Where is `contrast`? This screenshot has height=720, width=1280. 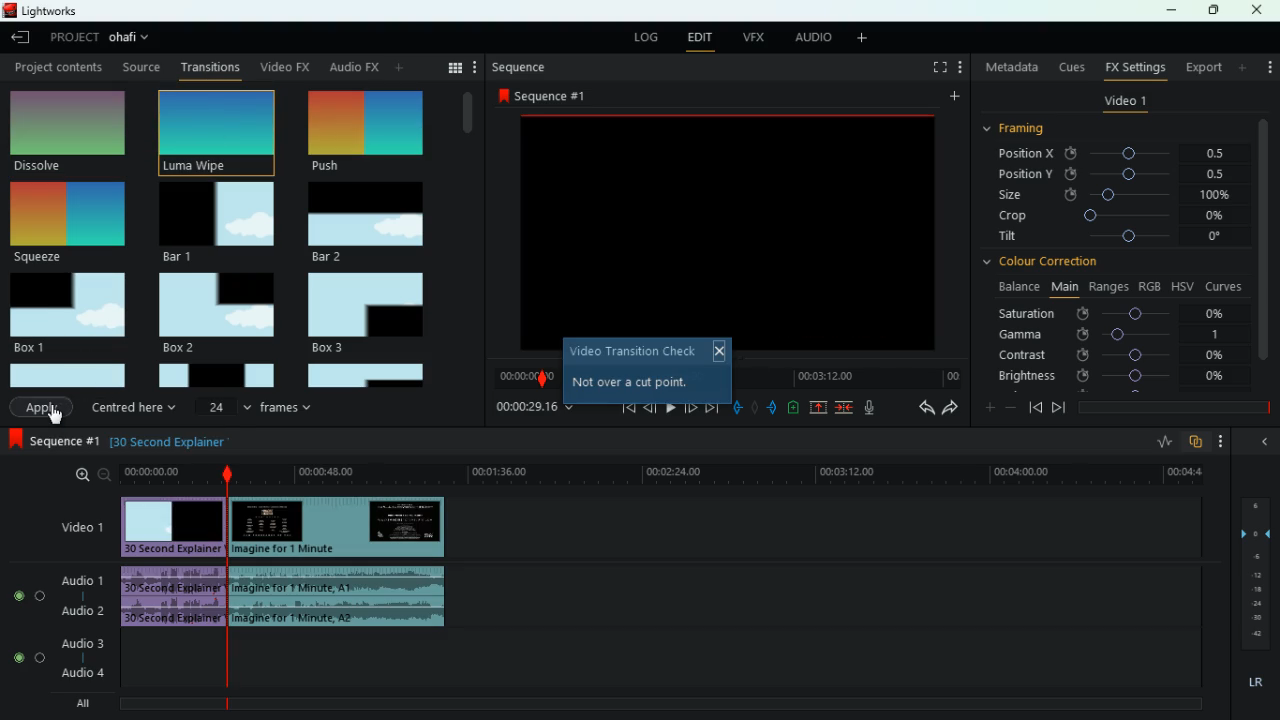
contrast is located at coordinates (1113, 354).